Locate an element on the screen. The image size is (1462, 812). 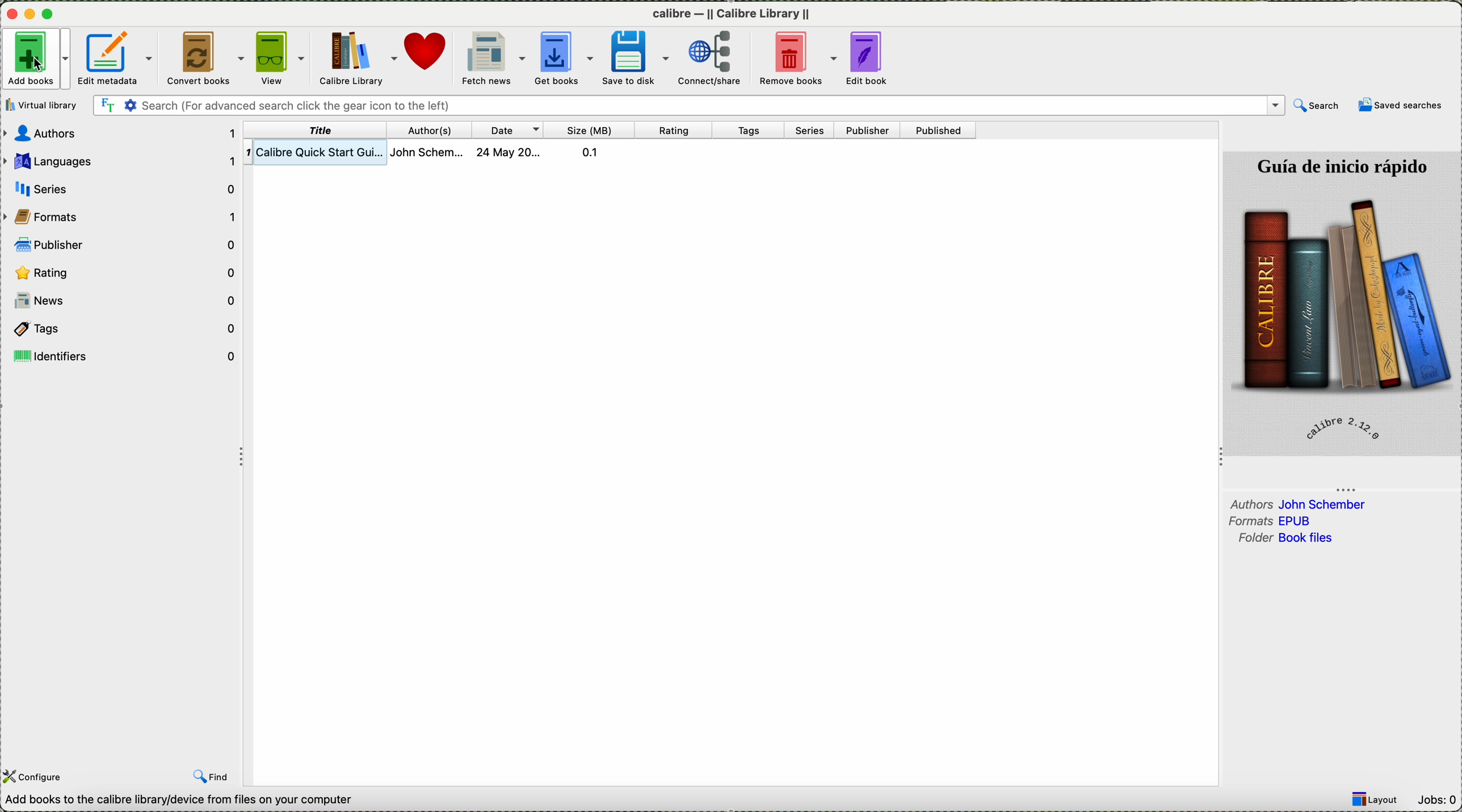
authors is located at coordinates (123, 134).